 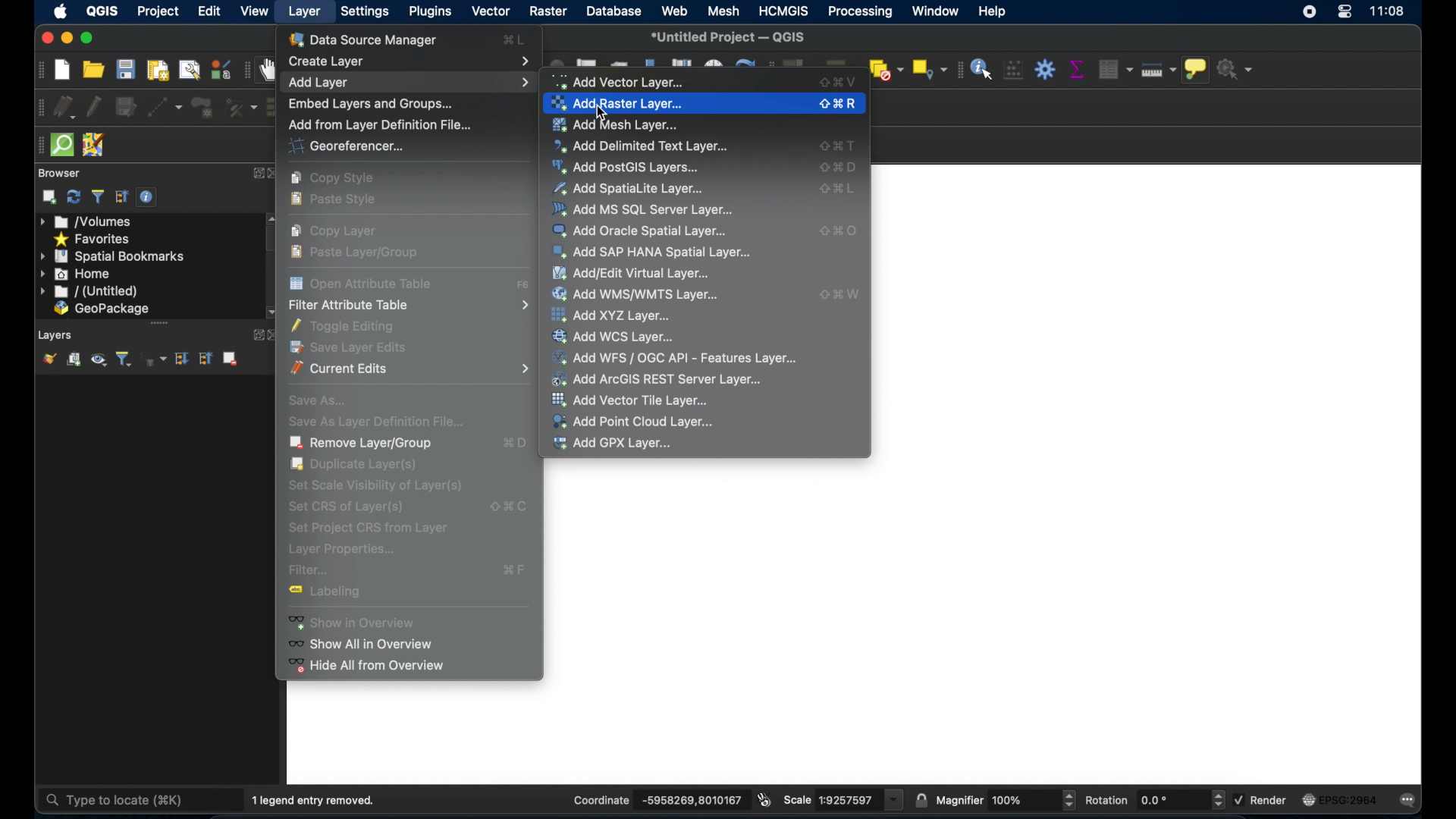 What do you see at coordinates (766, 799) in the screenshot?
I see `toggle extents and mouse position display` at bounding box center [766, 799].